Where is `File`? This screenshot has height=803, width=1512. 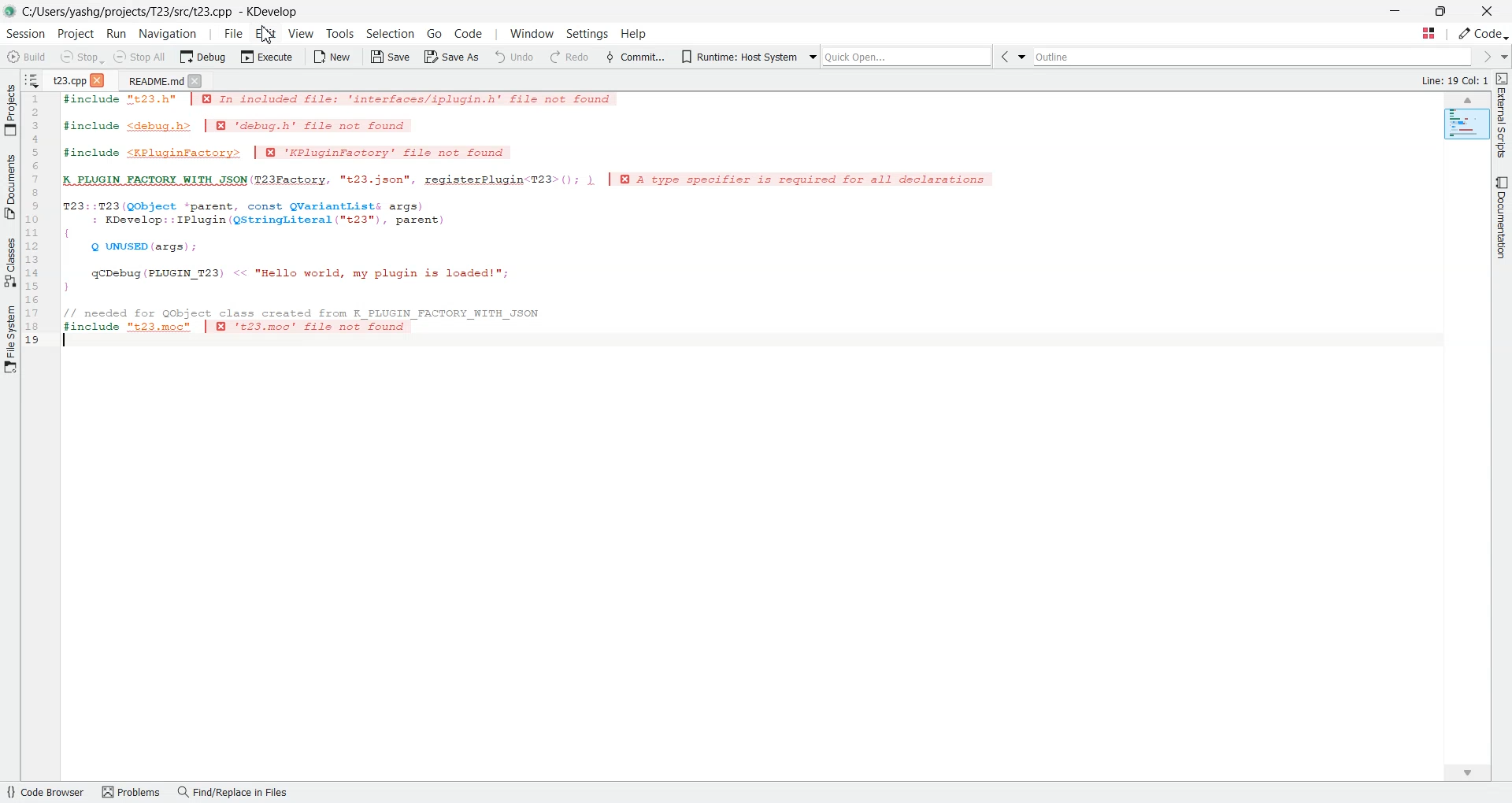 File is located at coordinates (233, 33).